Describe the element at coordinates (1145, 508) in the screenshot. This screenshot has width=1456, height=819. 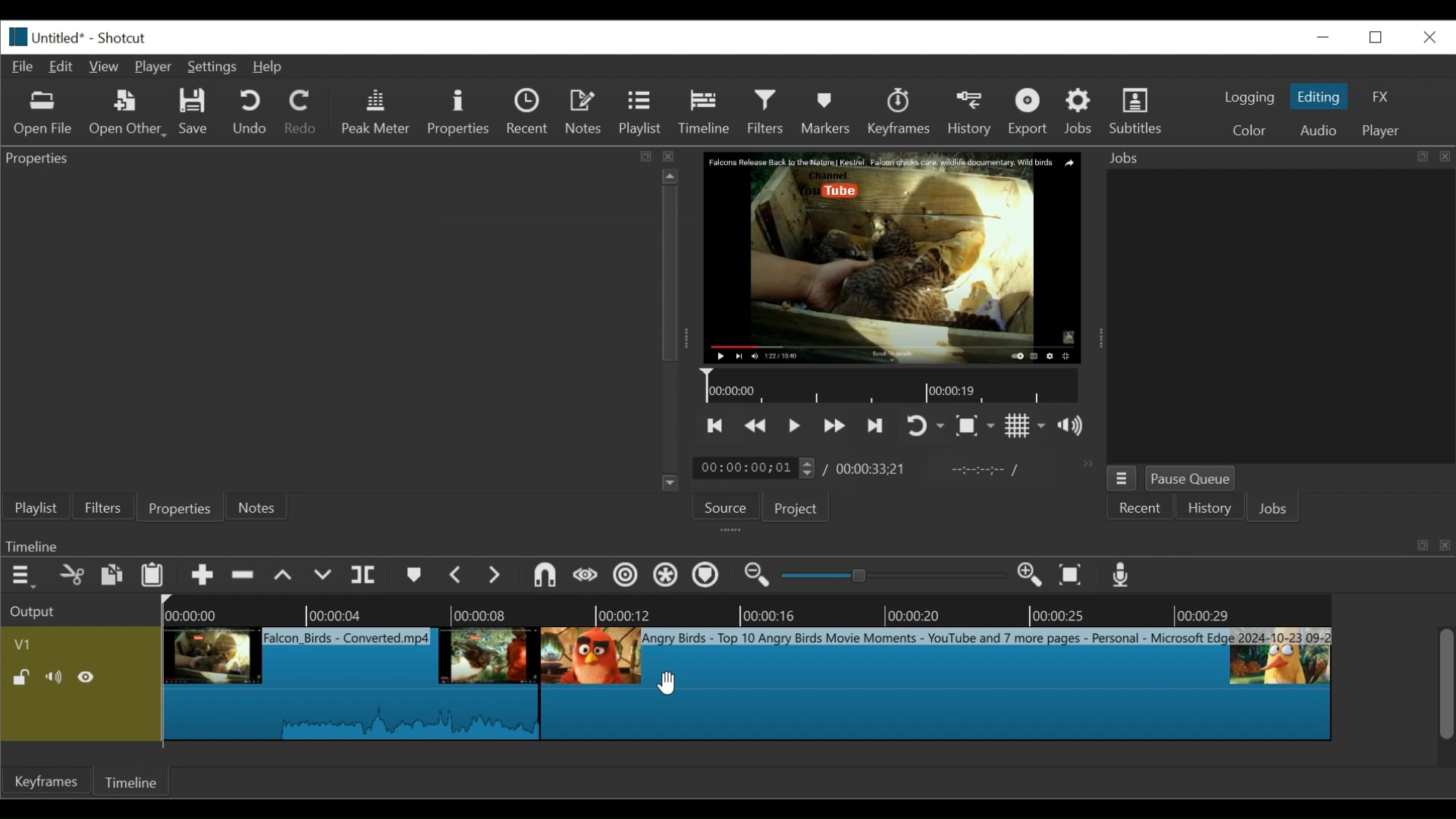
I see `Recent` at that location.